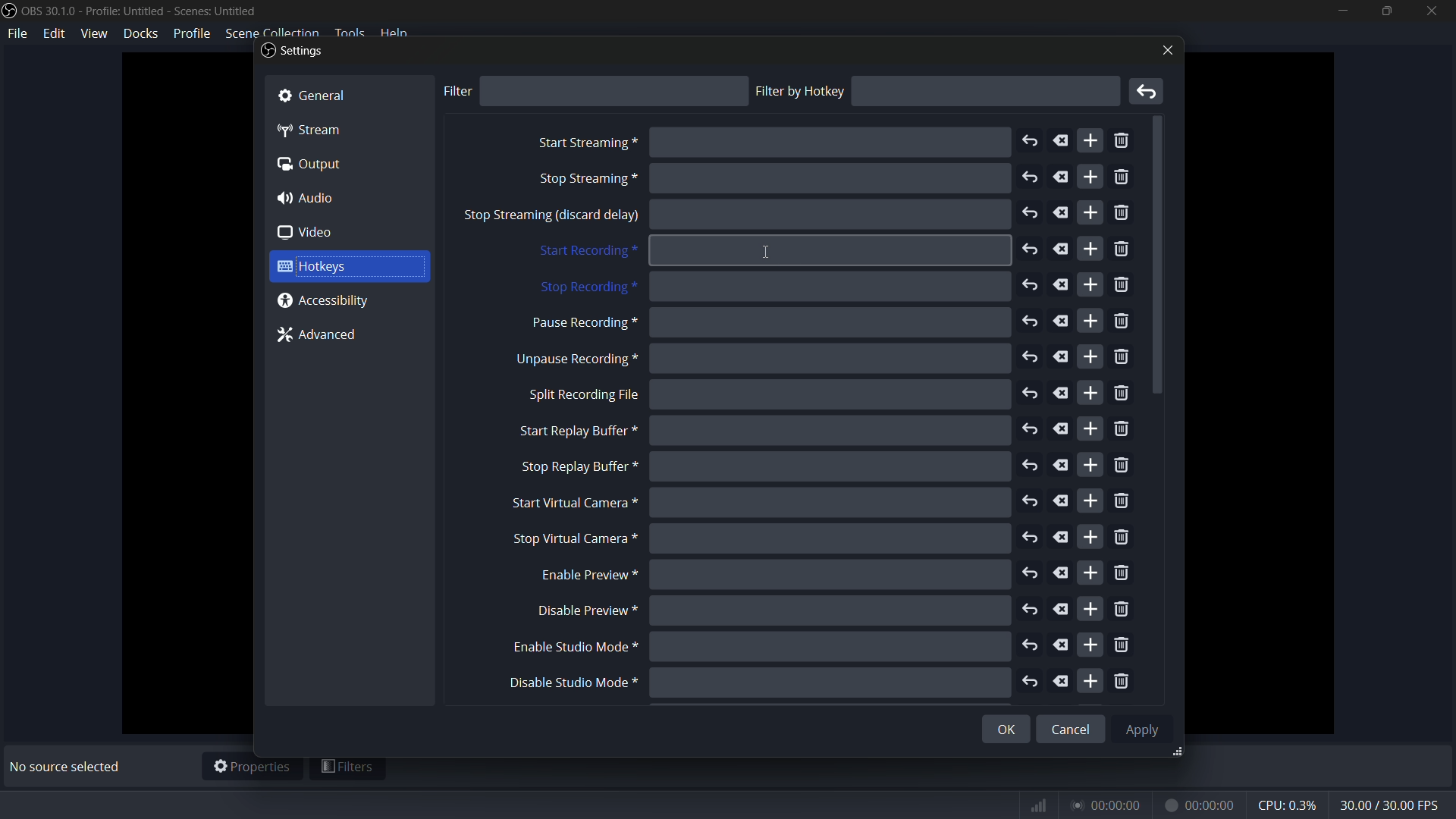  I want to click on close app, so click(1432, 11).